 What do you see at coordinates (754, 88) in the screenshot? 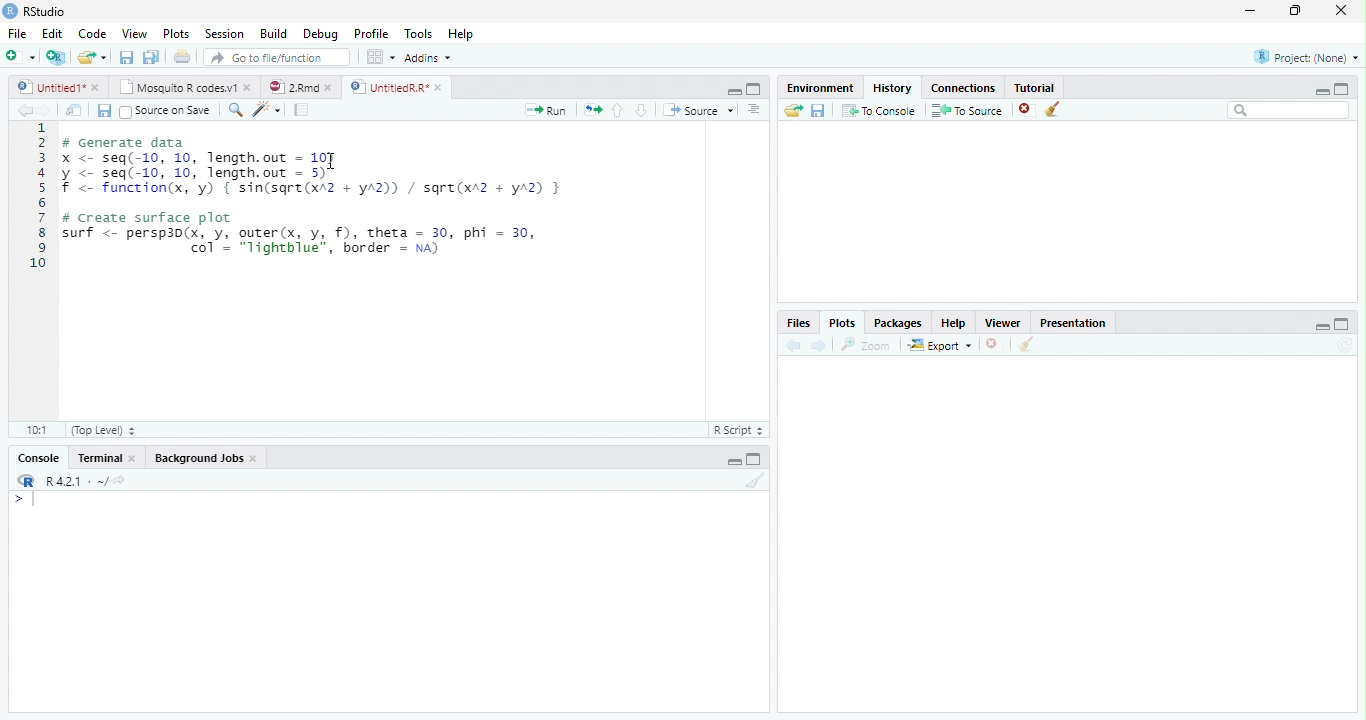
I see `Maximixe` at bounding box center [754, 88].